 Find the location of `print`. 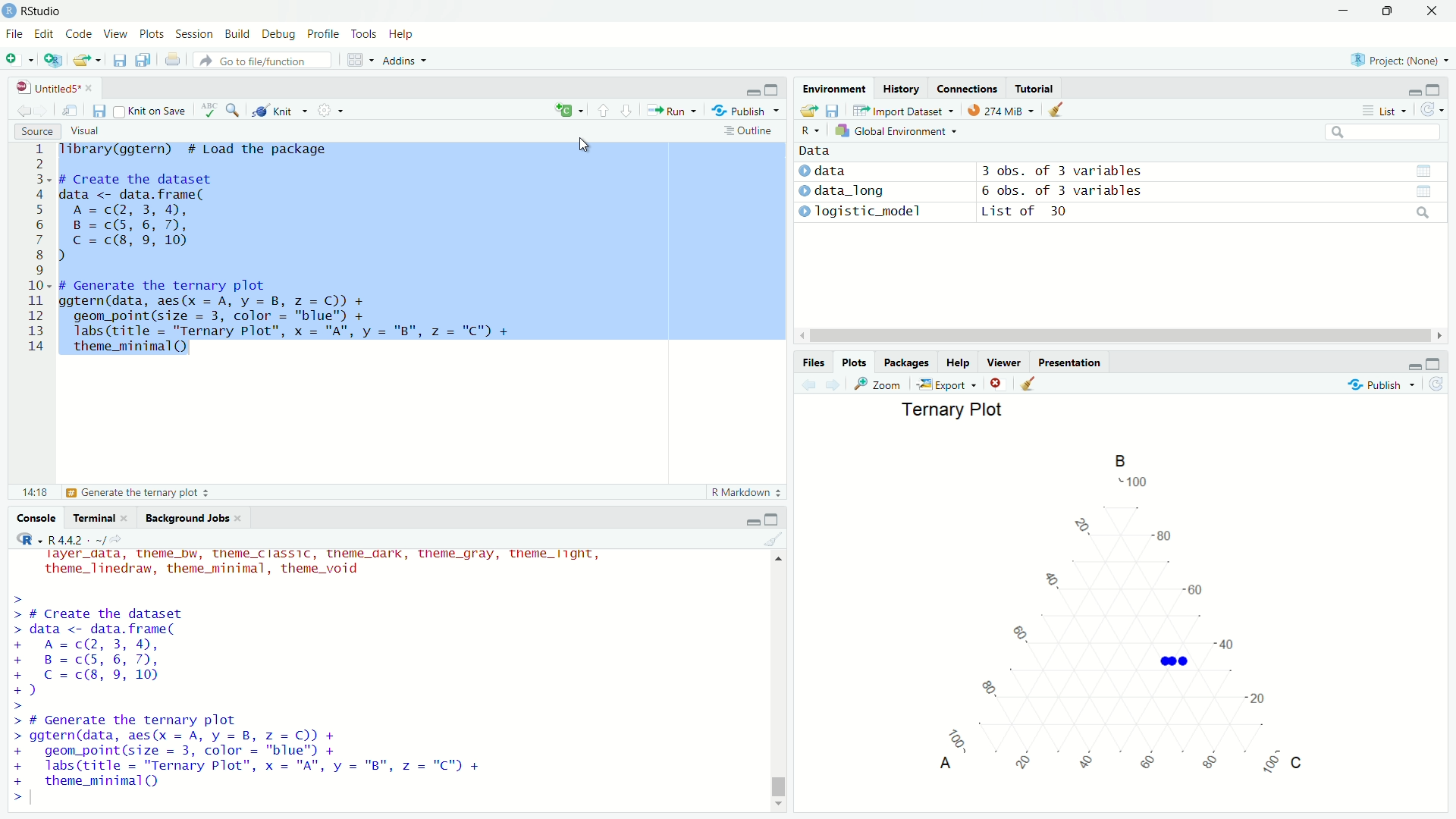

print is located at coordinates (176, 63).